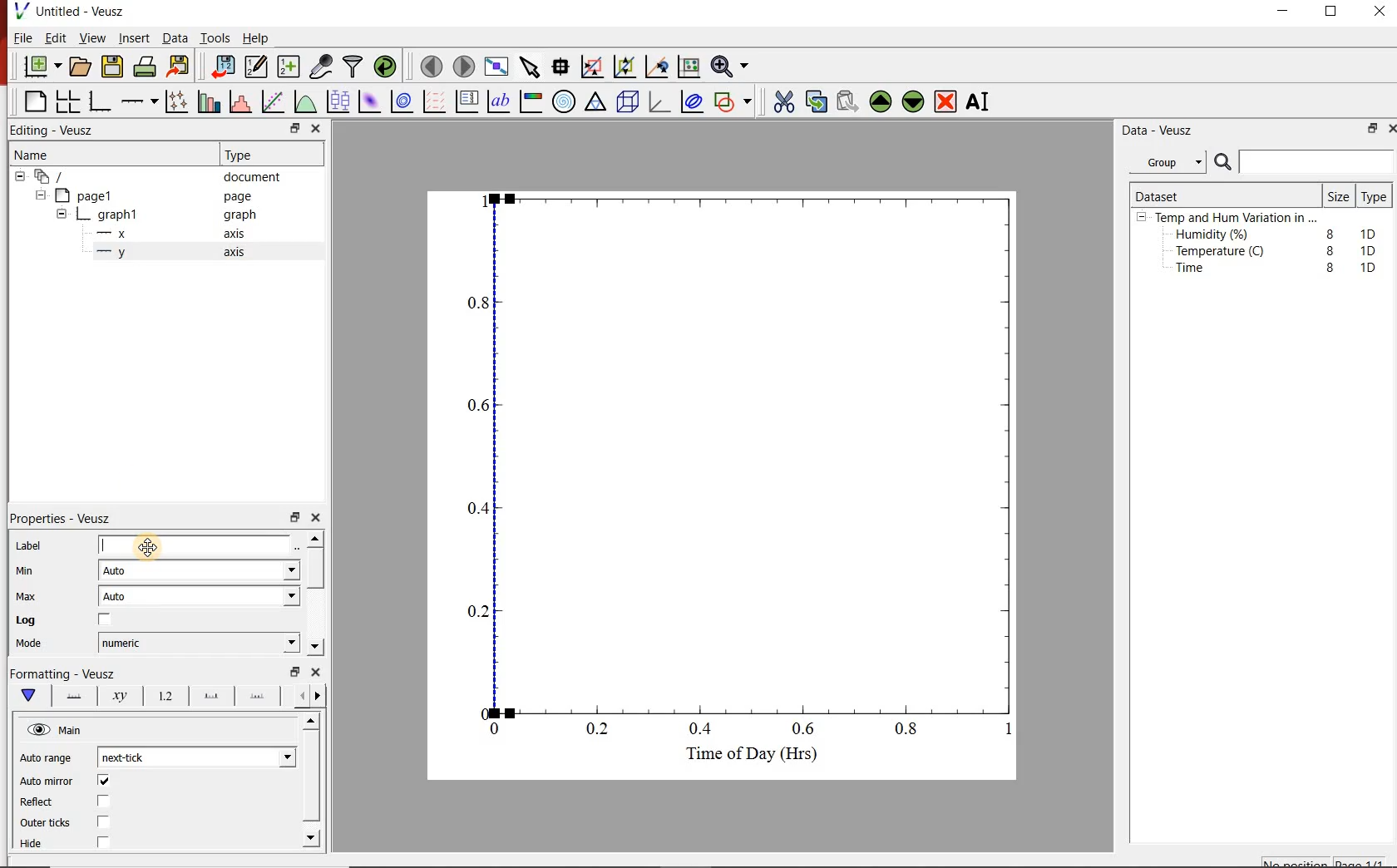 The height and width of the screenshot is (868, 1397). I want to click on plot key, so click(470, 101).